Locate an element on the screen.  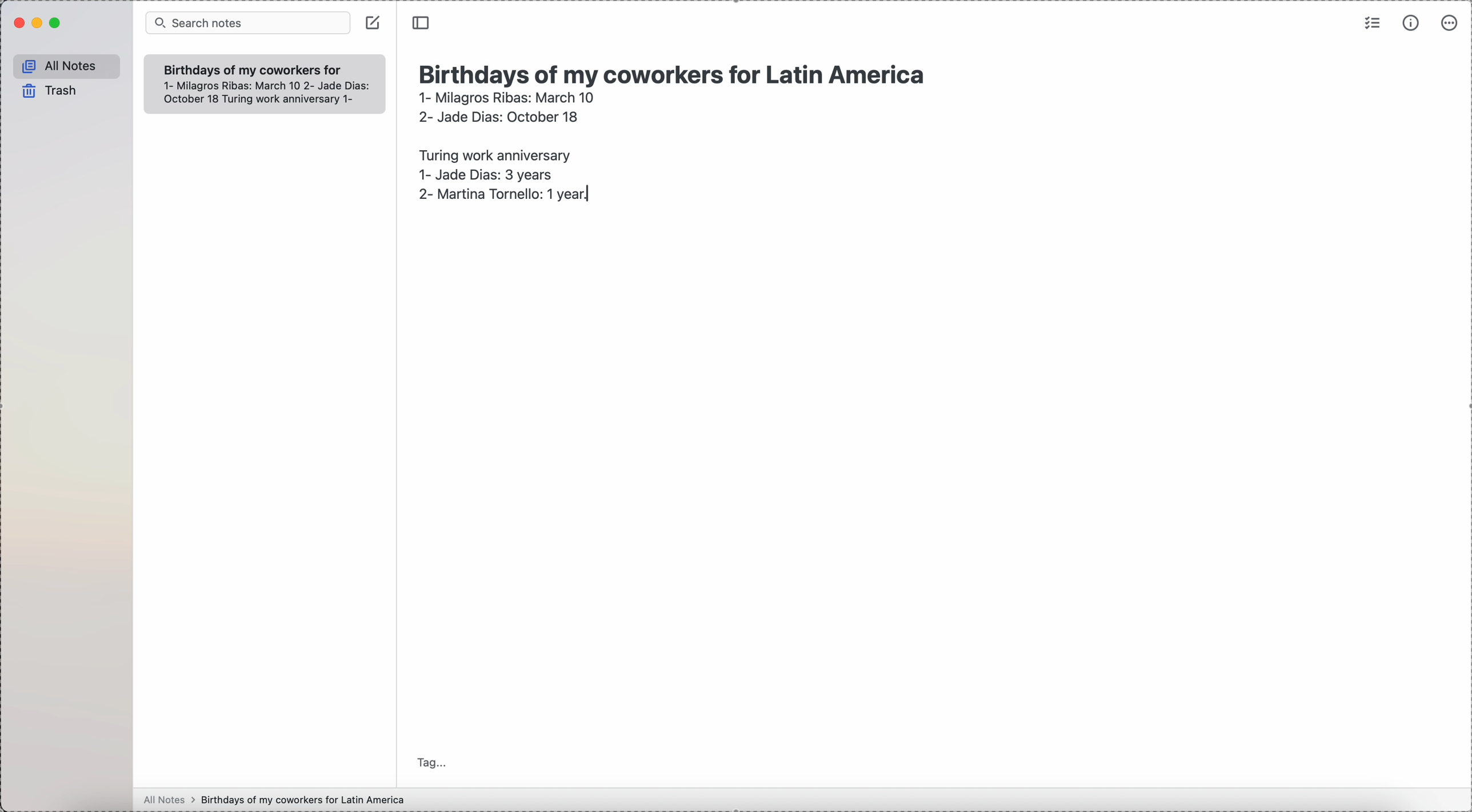
all notes > birthdays of my coworkers for Latin America is located at coordinates (277, 799).